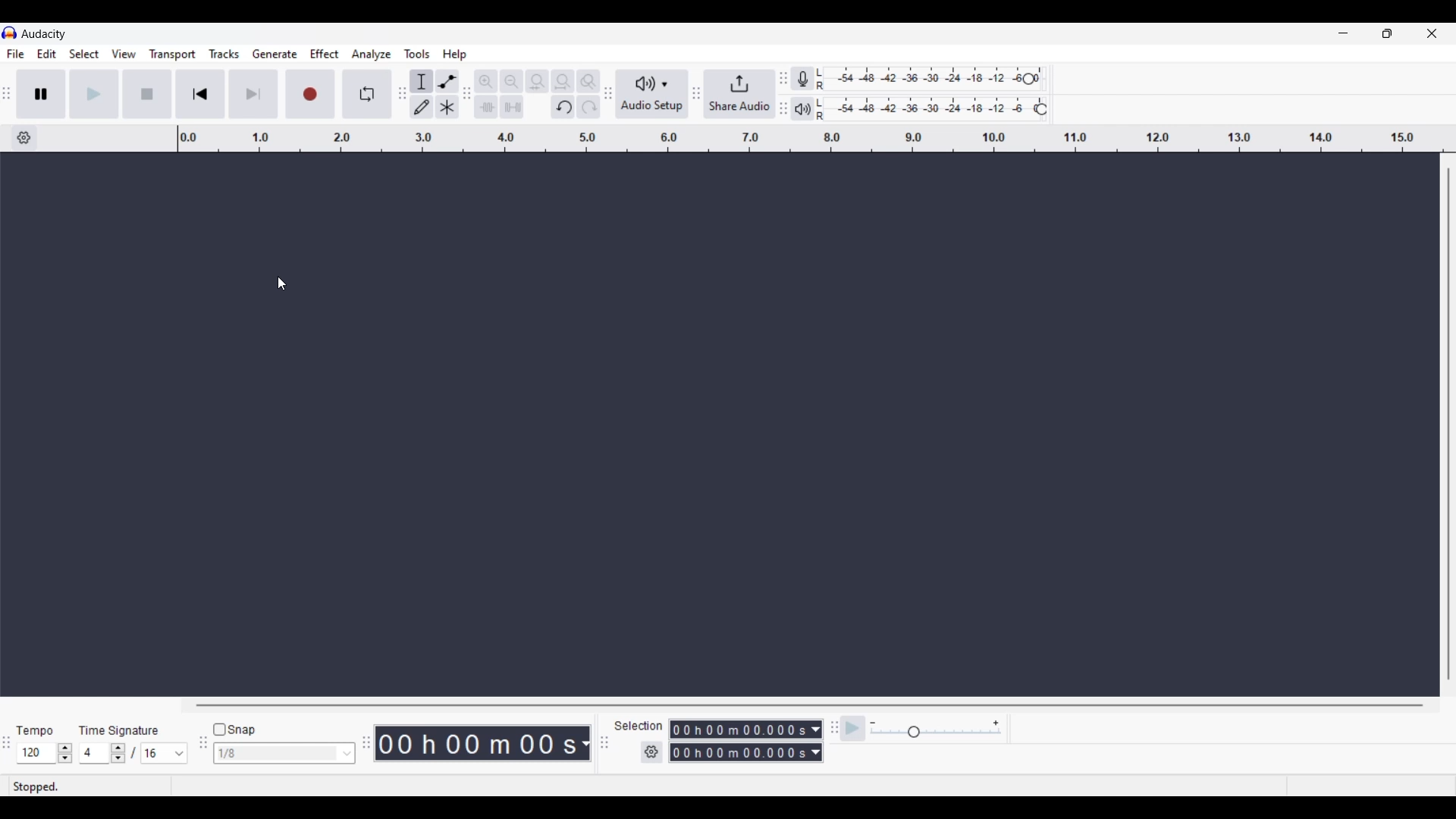 The image size is (1456, 819). I want to click on Stop, so click(148, 94).